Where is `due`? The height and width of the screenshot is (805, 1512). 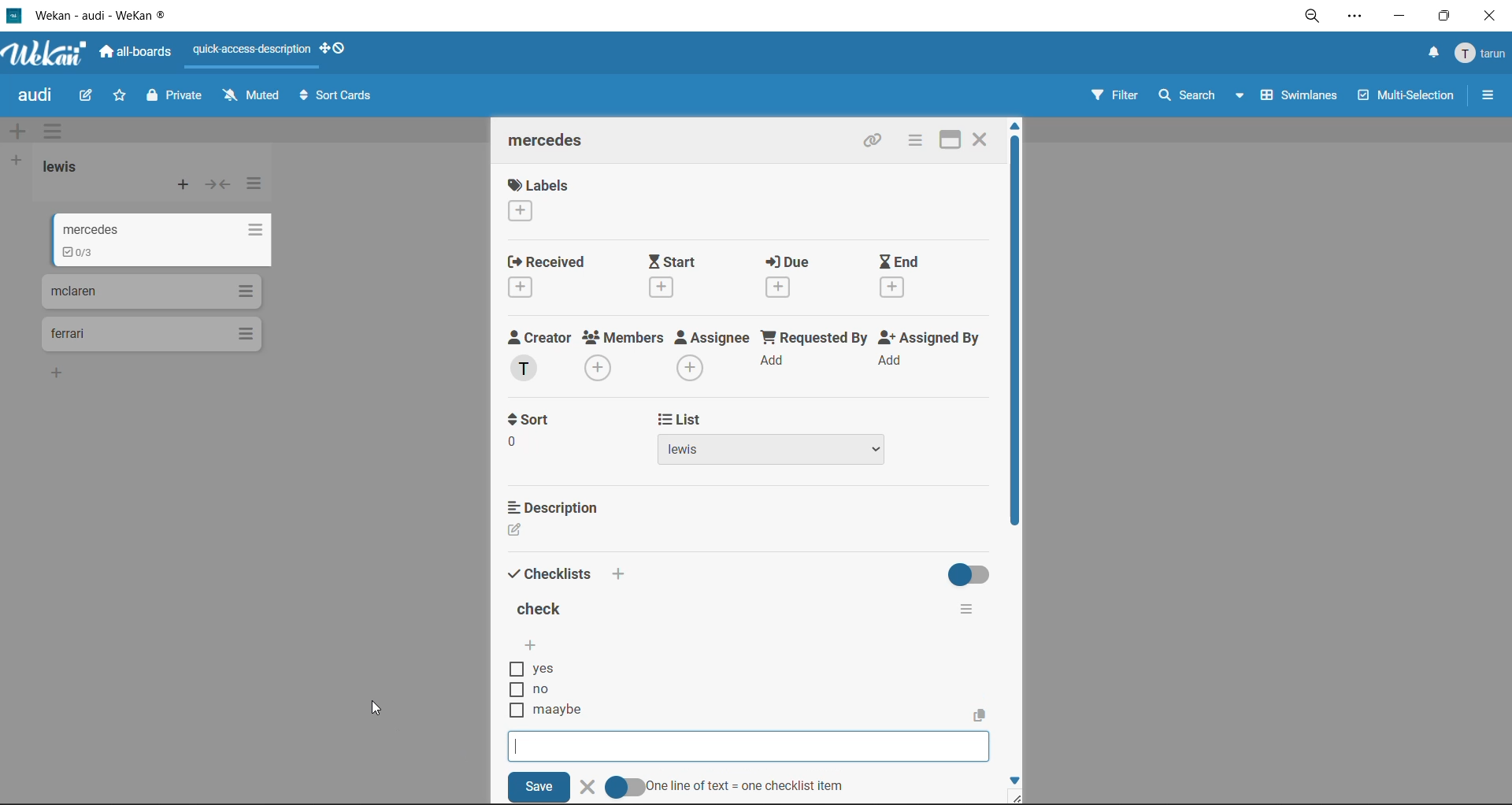
due is located at coordinates (799, 277).